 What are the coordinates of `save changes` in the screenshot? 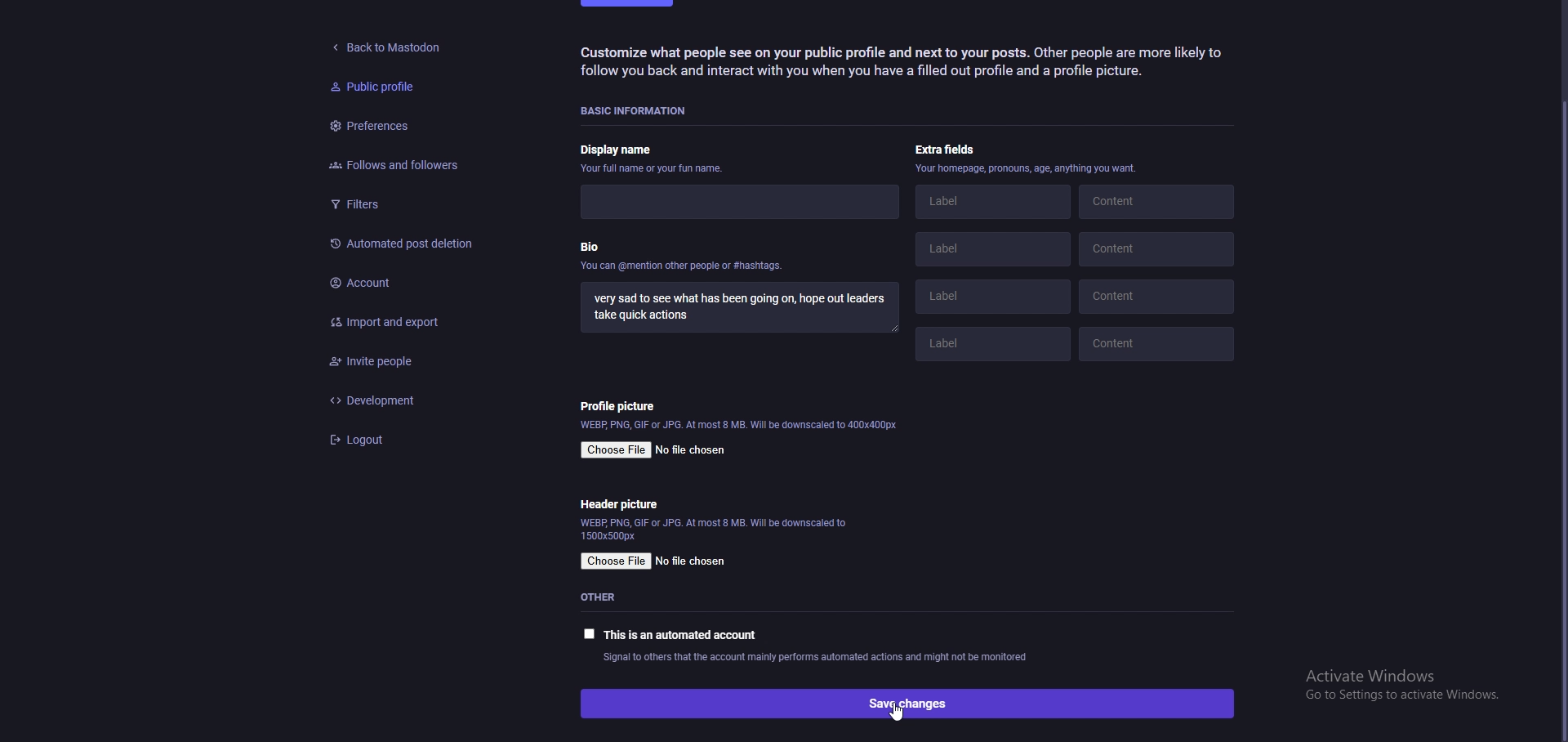 It's located at (906, 703).